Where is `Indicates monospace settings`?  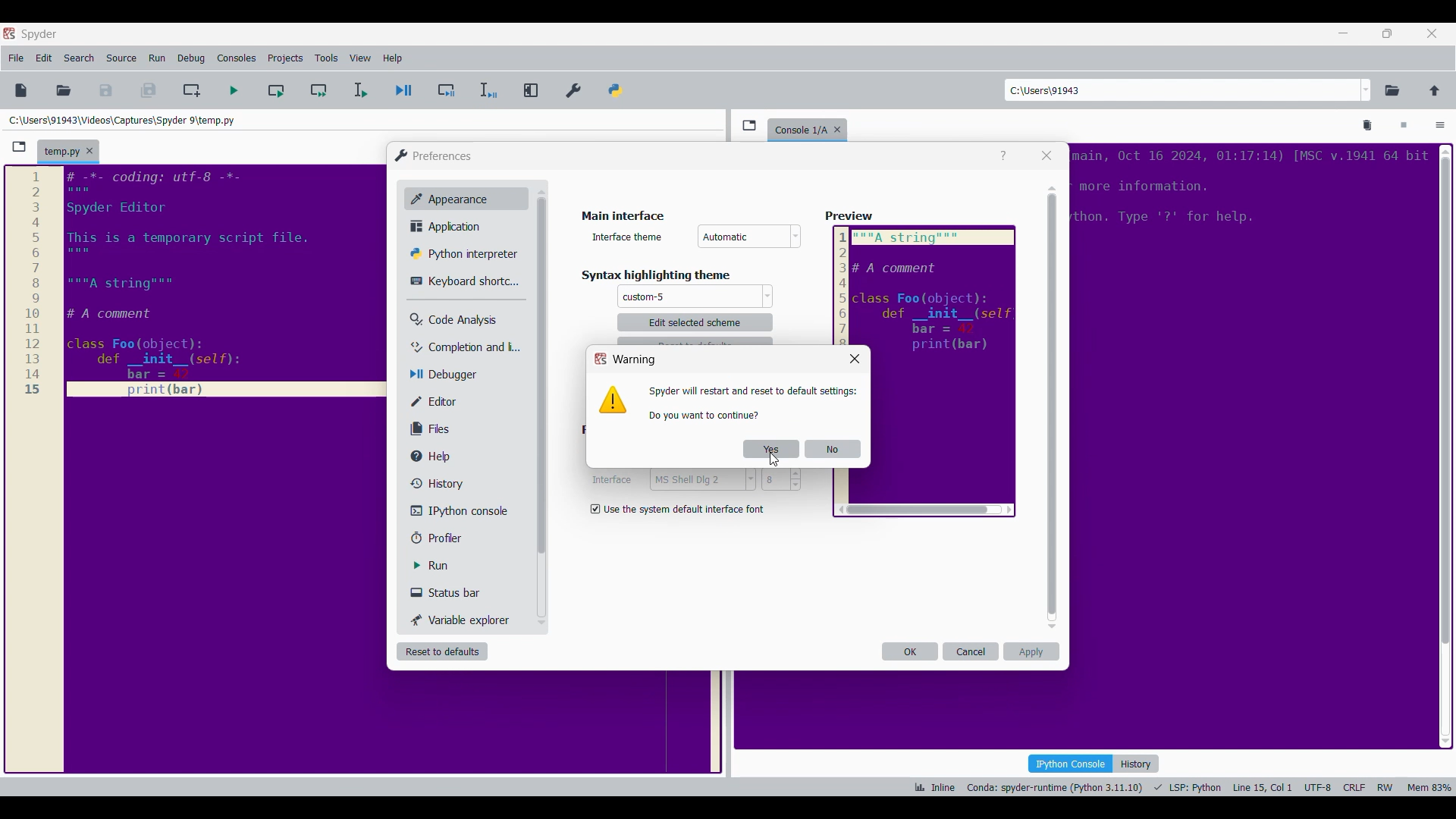
Indicates monospace settings is located at coordinates (616, 451).